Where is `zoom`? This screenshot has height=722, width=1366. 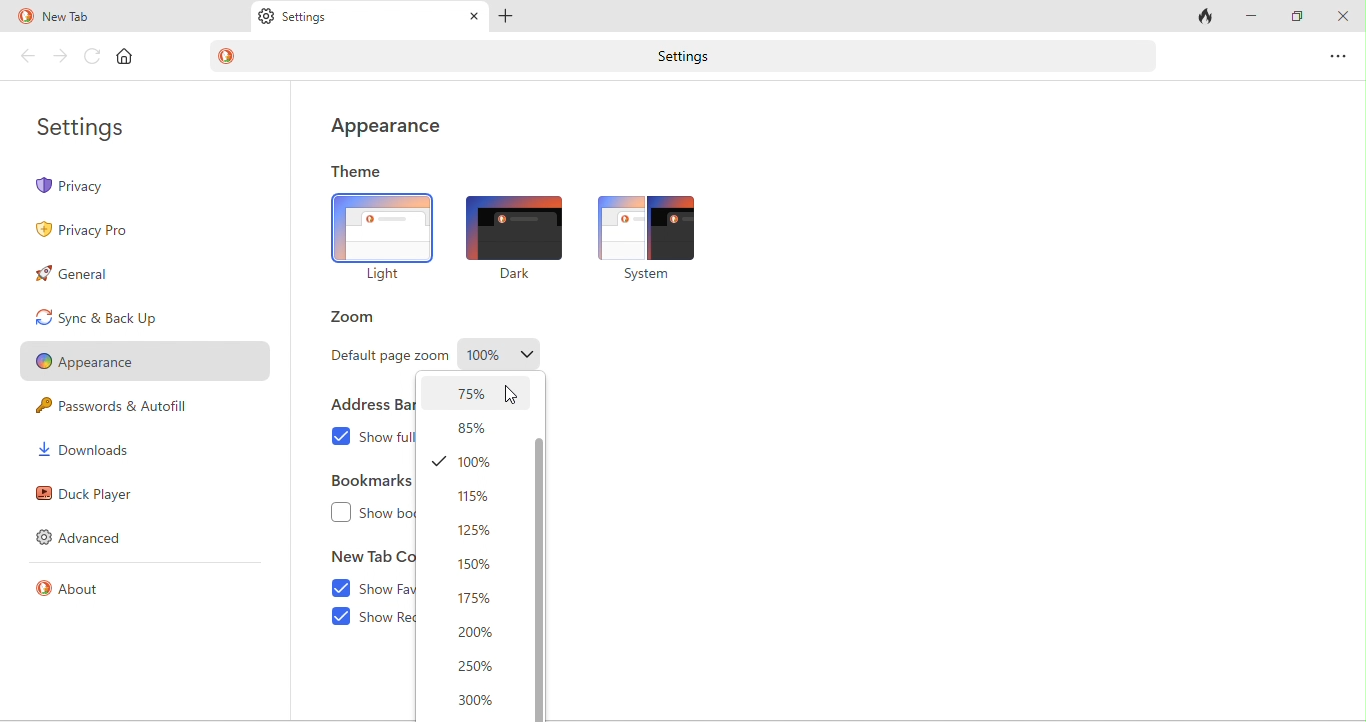
zoom is located at coordinates (363, 315).